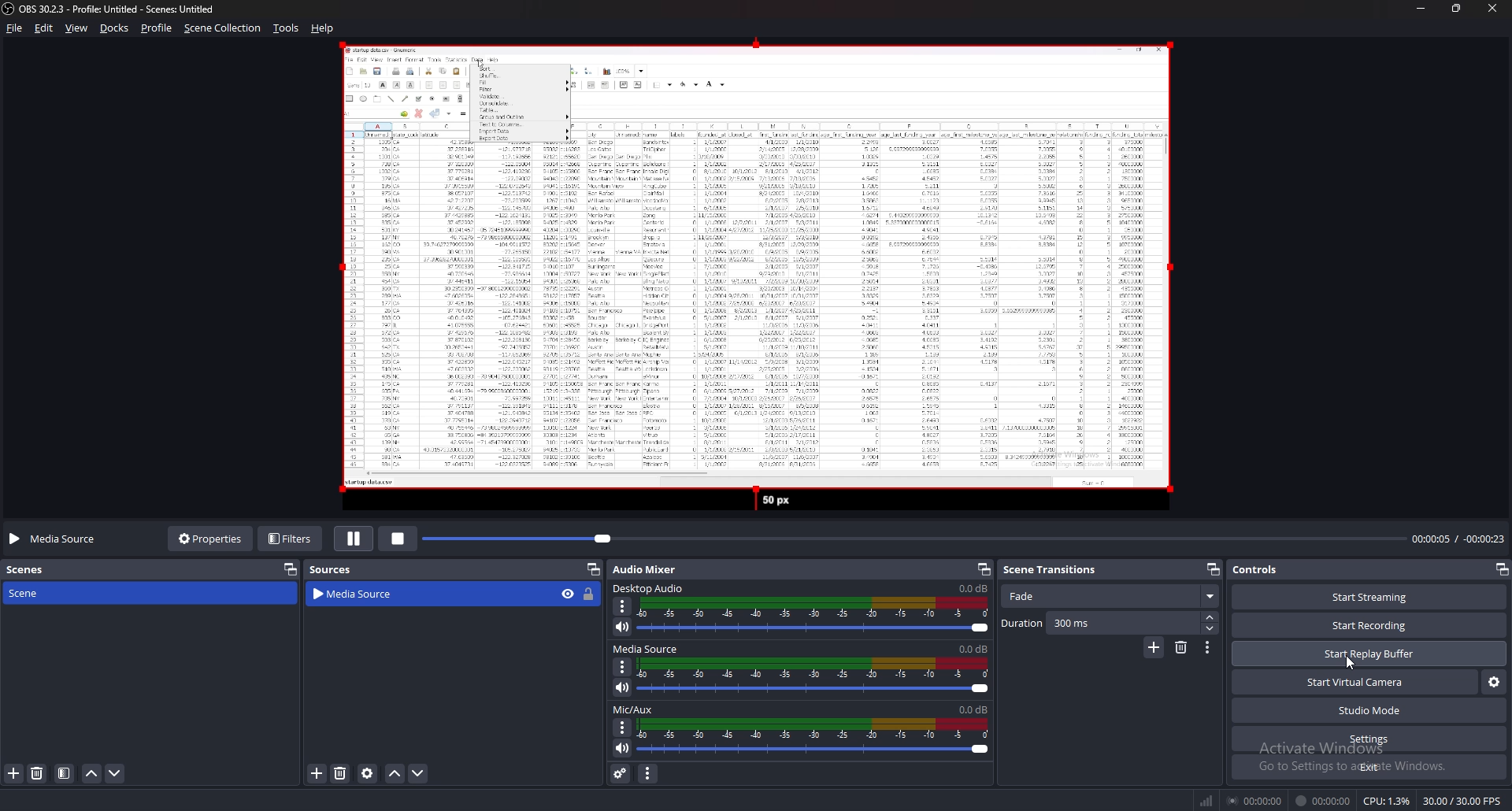 This screenshot has width=1512, height=811. What do you see at coordinates (624, 747) in the screenshot?
I see `mute` at bounding box center [624, 747].